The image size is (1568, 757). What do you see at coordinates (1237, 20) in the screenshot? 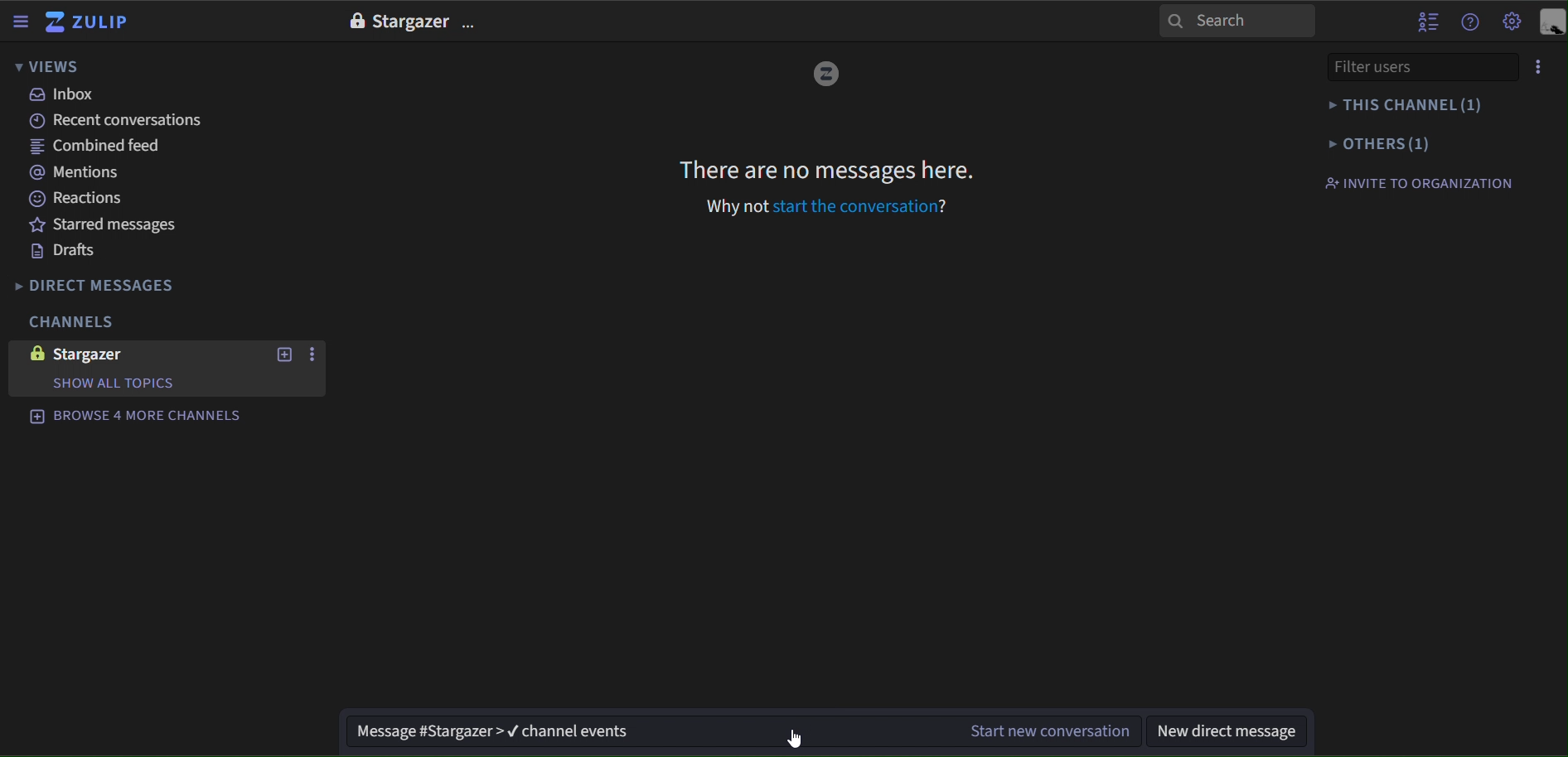
I see `search` at bounding box center [1237, 20].